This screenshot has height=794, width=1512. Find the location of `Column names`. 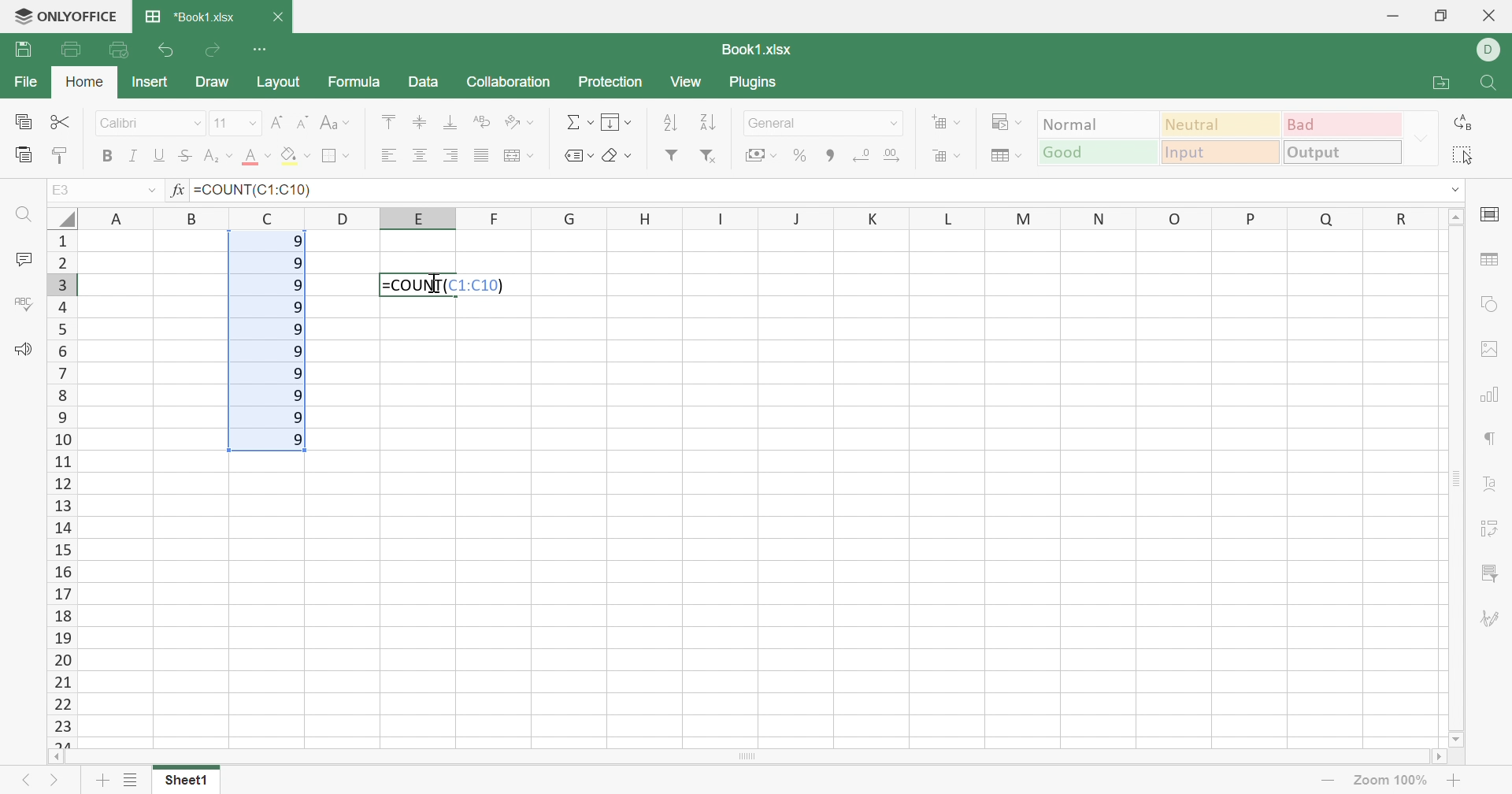

Column names is located at coordinates (732, 217).